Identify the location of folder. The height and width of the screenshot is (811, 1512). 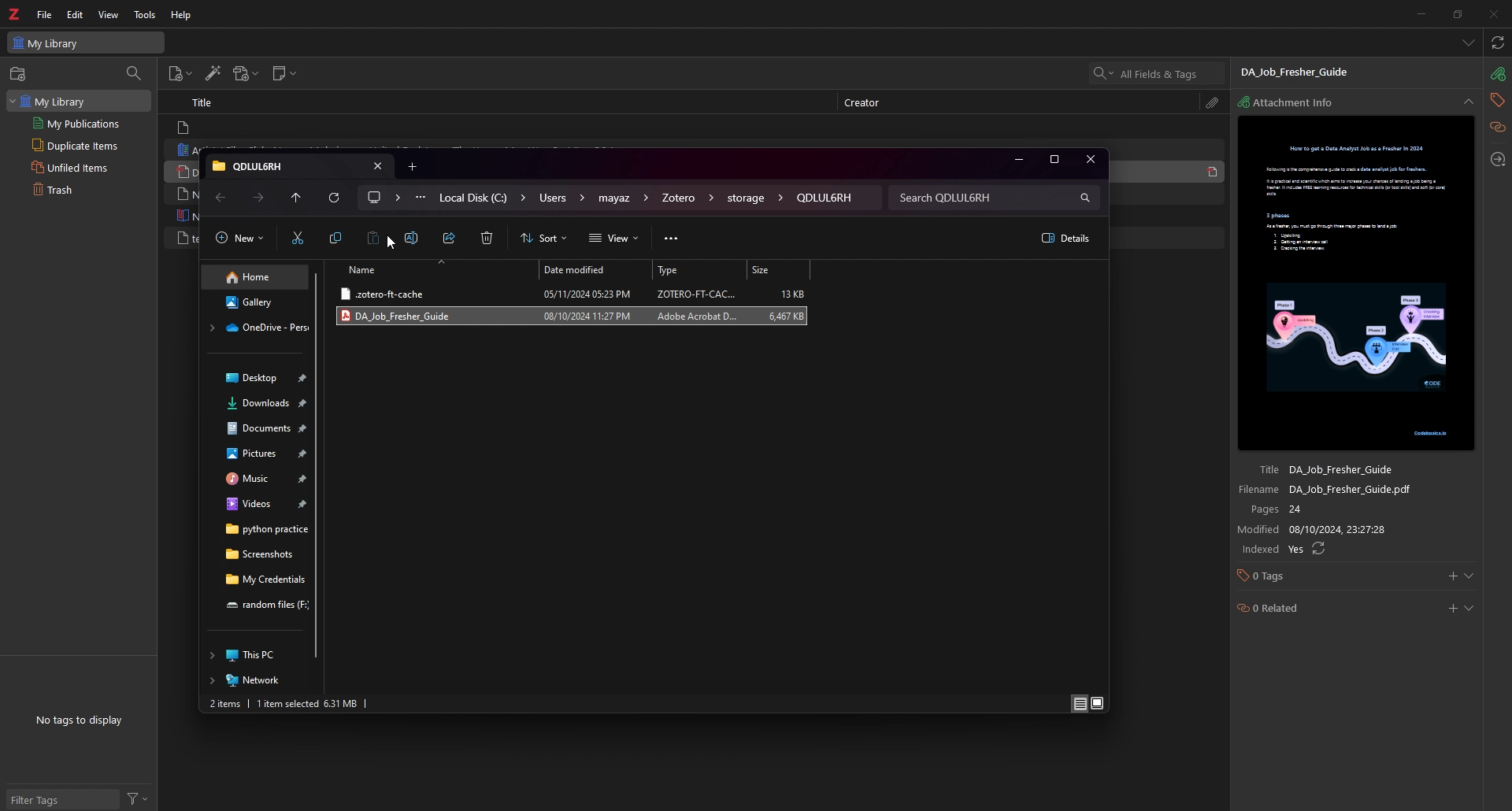
(560, 199).